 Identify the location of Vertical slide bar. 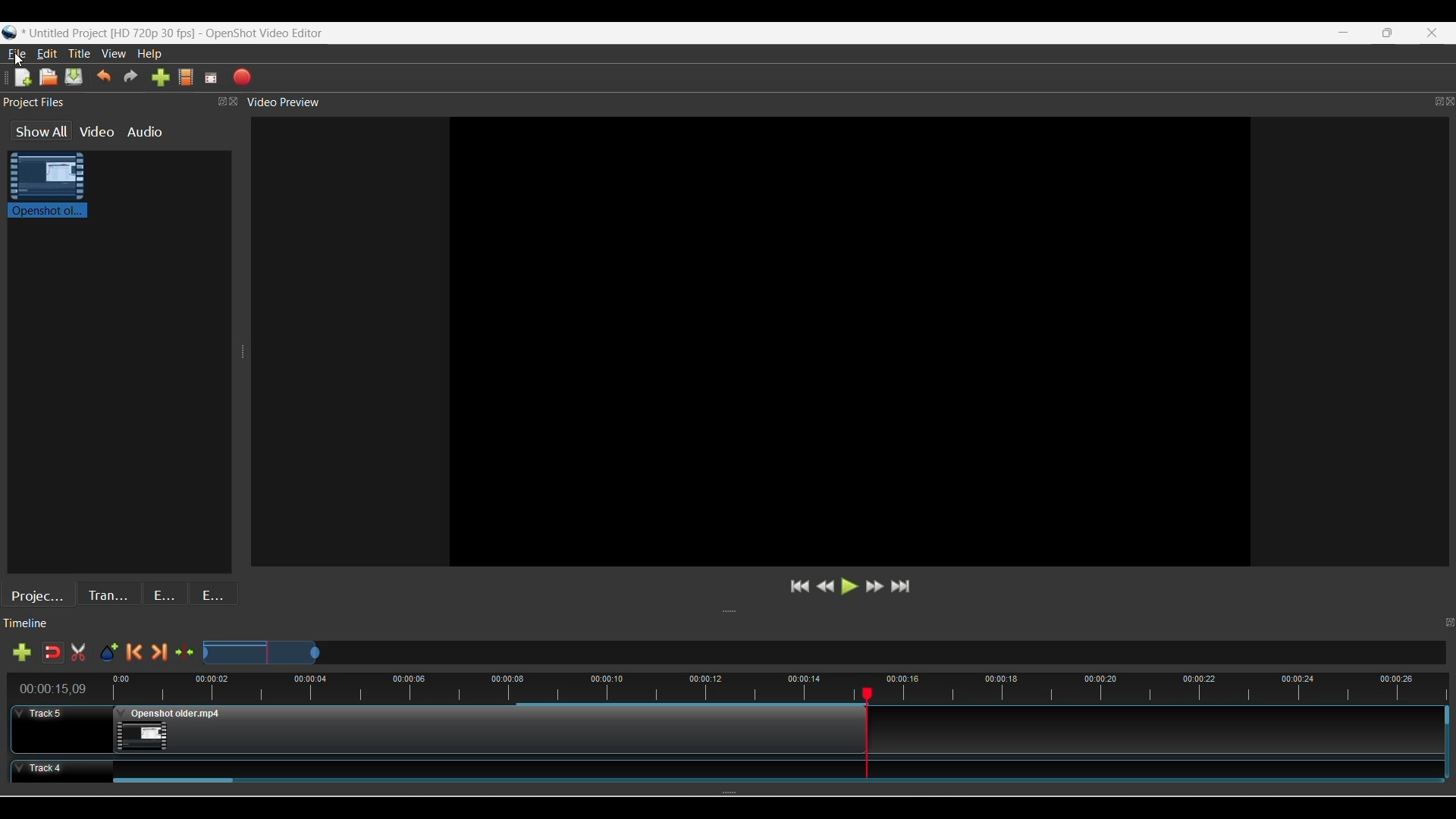
(1448, 714).